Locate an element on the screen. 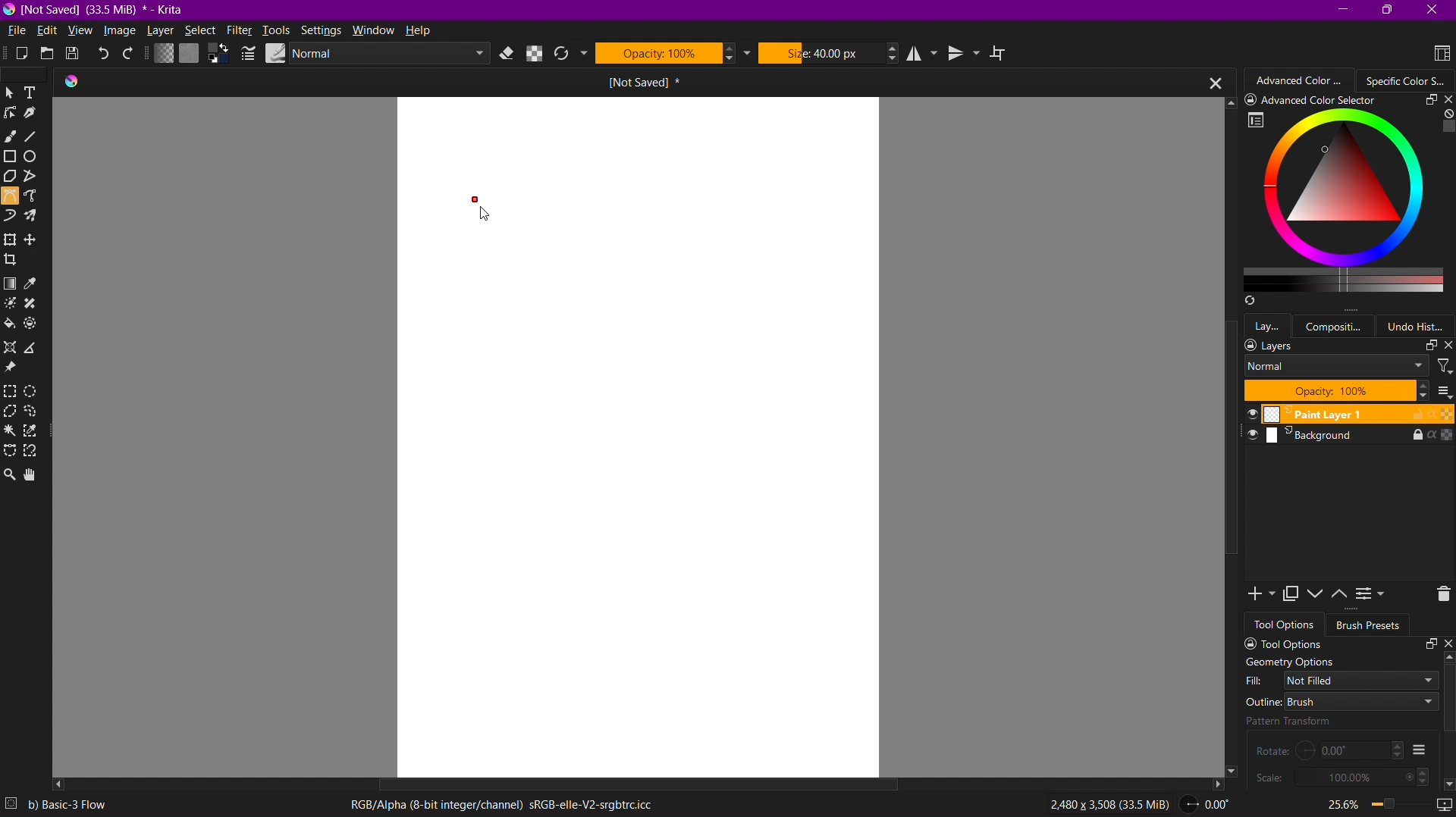 The image size is (1456, 817). Move Layer or Mask Up is located at coordinates (1342, 594).